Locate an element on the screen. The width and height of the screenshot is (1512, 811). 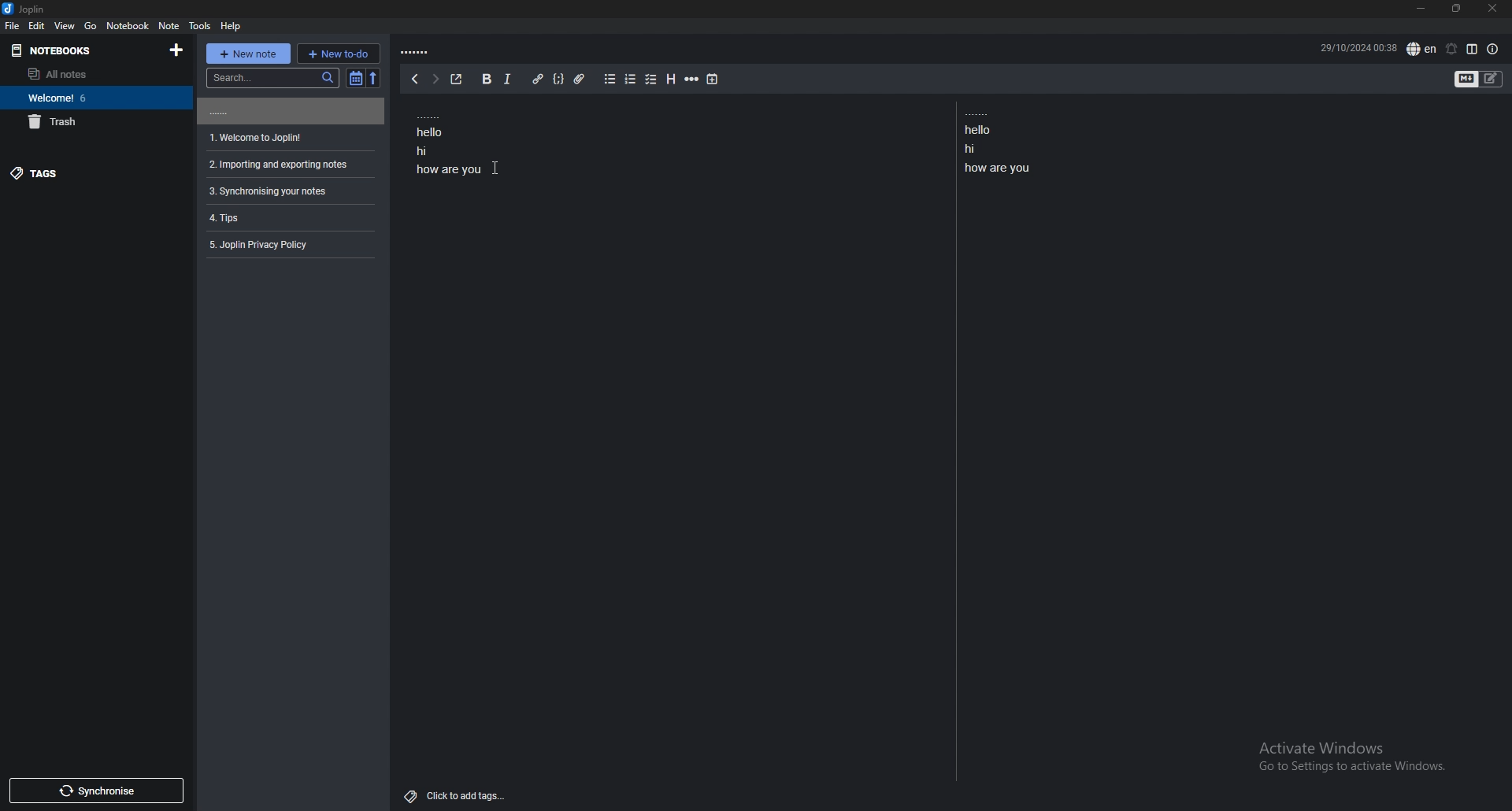
tags is located at coordinates (91, 174).